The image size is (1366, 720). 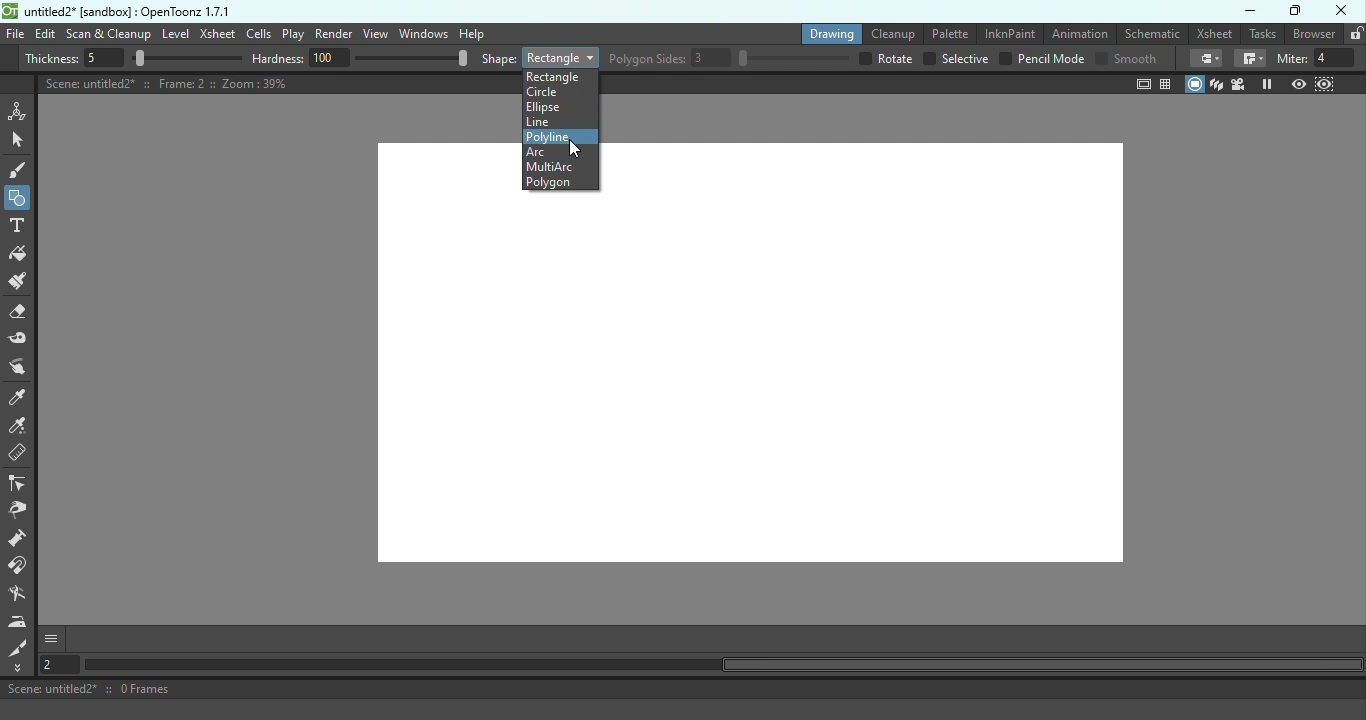 I want to click on fill tool, so click(x=1206, y=59).